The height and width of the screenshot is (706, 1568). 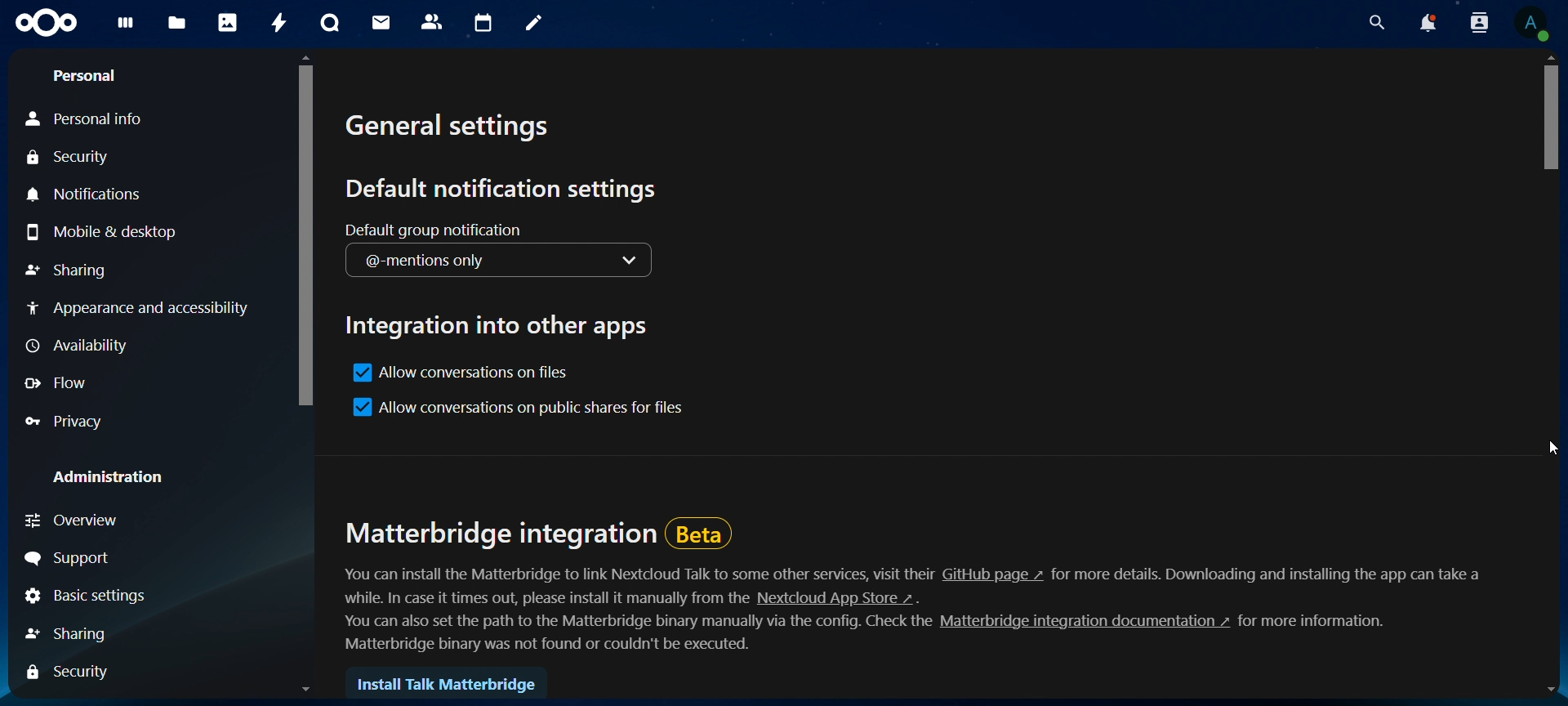 What do you see at coordinates (116, 556) in the screenshot?
I see `Signout` at bounding box center [116, 556].